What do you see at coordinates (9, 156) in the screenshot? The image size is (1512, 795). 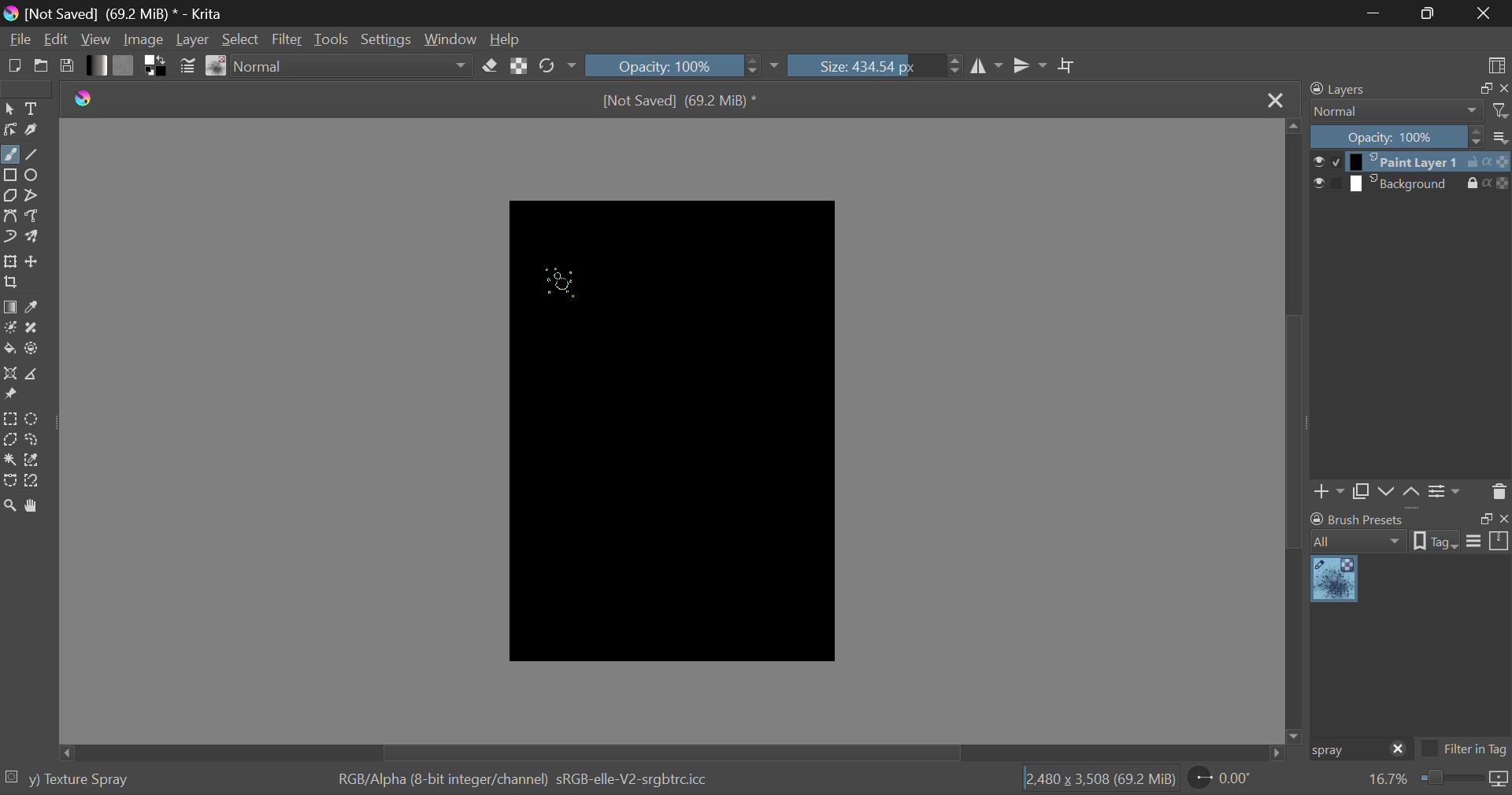 I see `Freehand Paintbrush selected` at bounding box center [9, 156].